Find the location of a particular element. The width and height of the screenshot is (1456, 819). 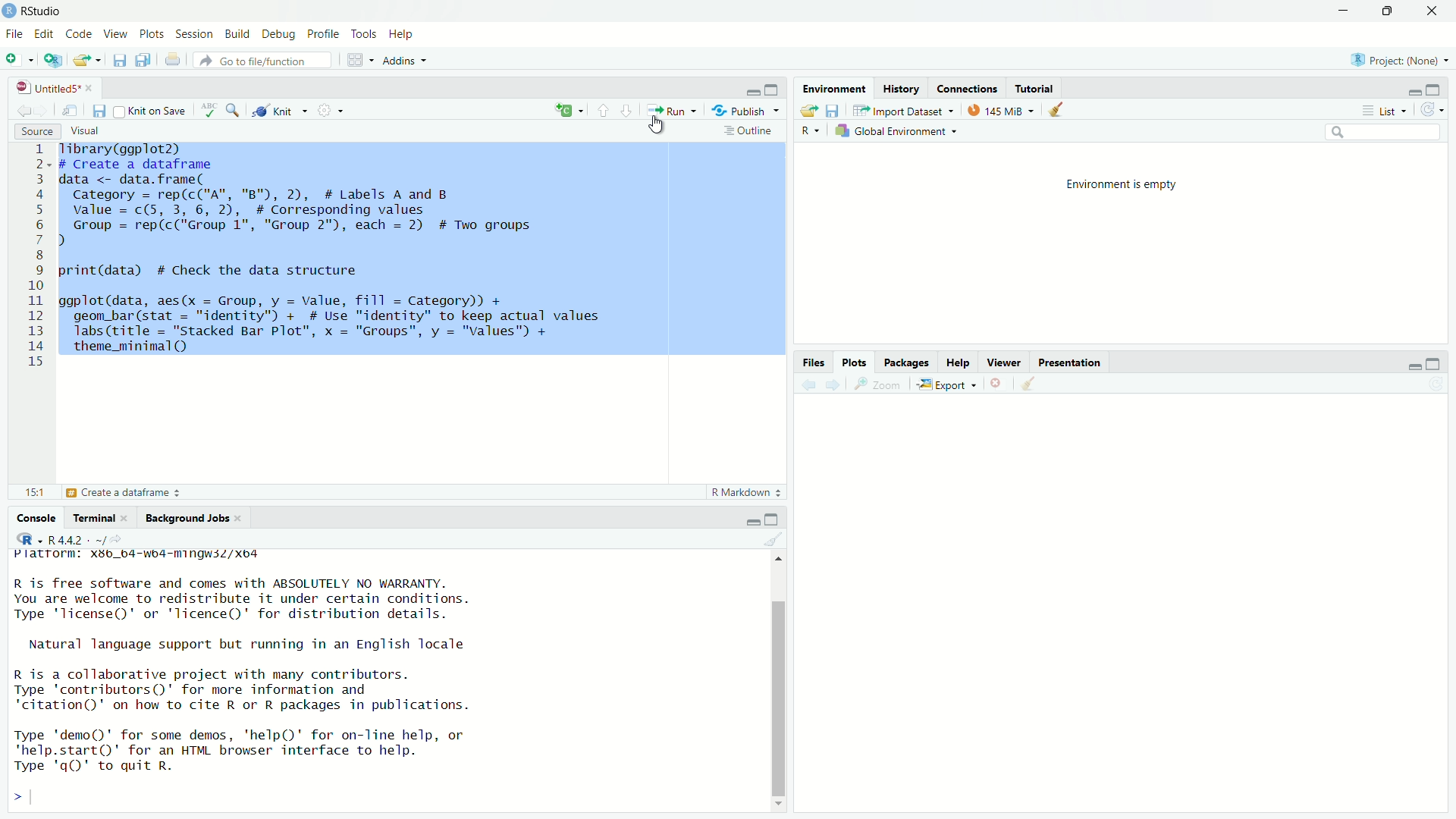

Save all open documents (Ctrl + Alt + S) is located at coordinates (145, 60).